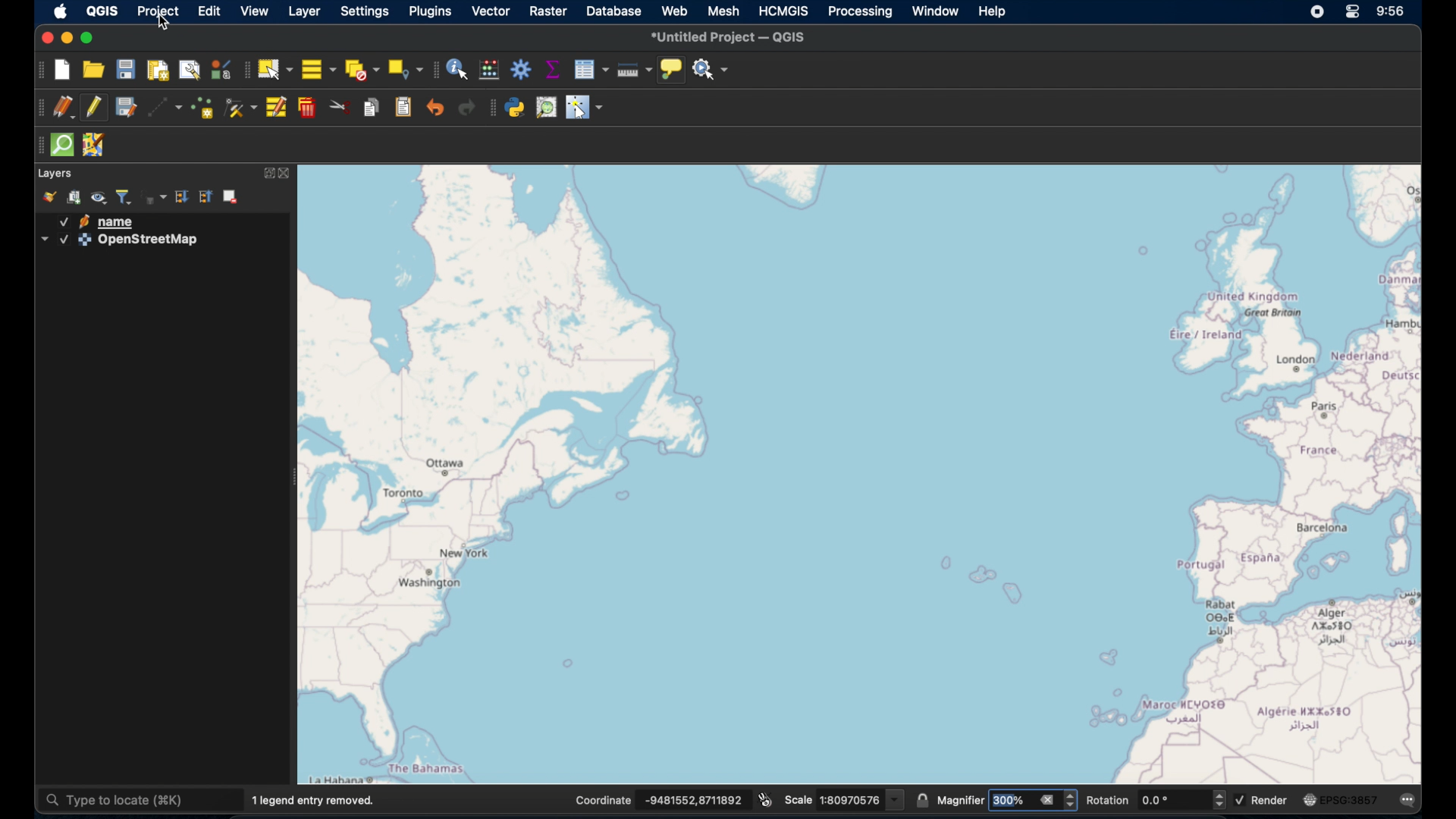 Image resolution: width=1456 pixels, height=819 pixels. What do you see at coordinates (363, 11) in the screenshot?
I see `settings` at bounding box center [363, 11].